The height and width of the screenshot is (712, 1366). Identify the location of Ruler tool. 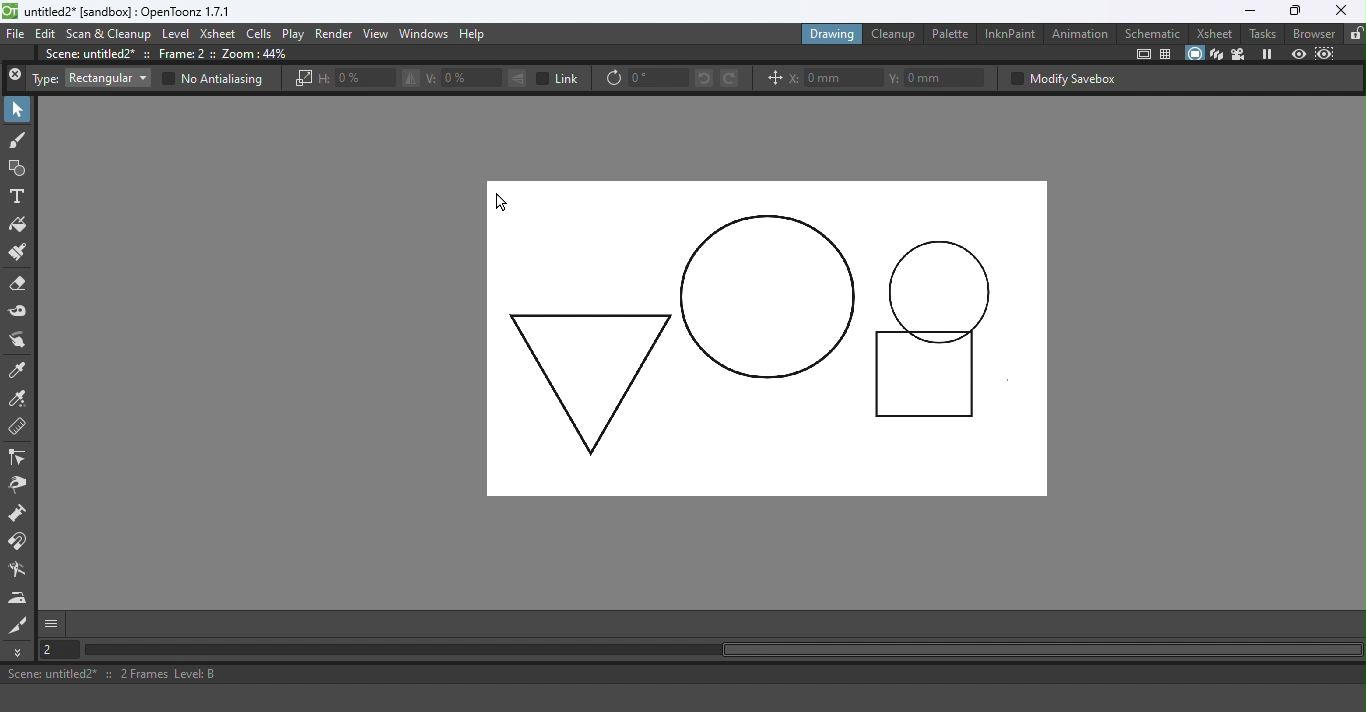
(18, 428).